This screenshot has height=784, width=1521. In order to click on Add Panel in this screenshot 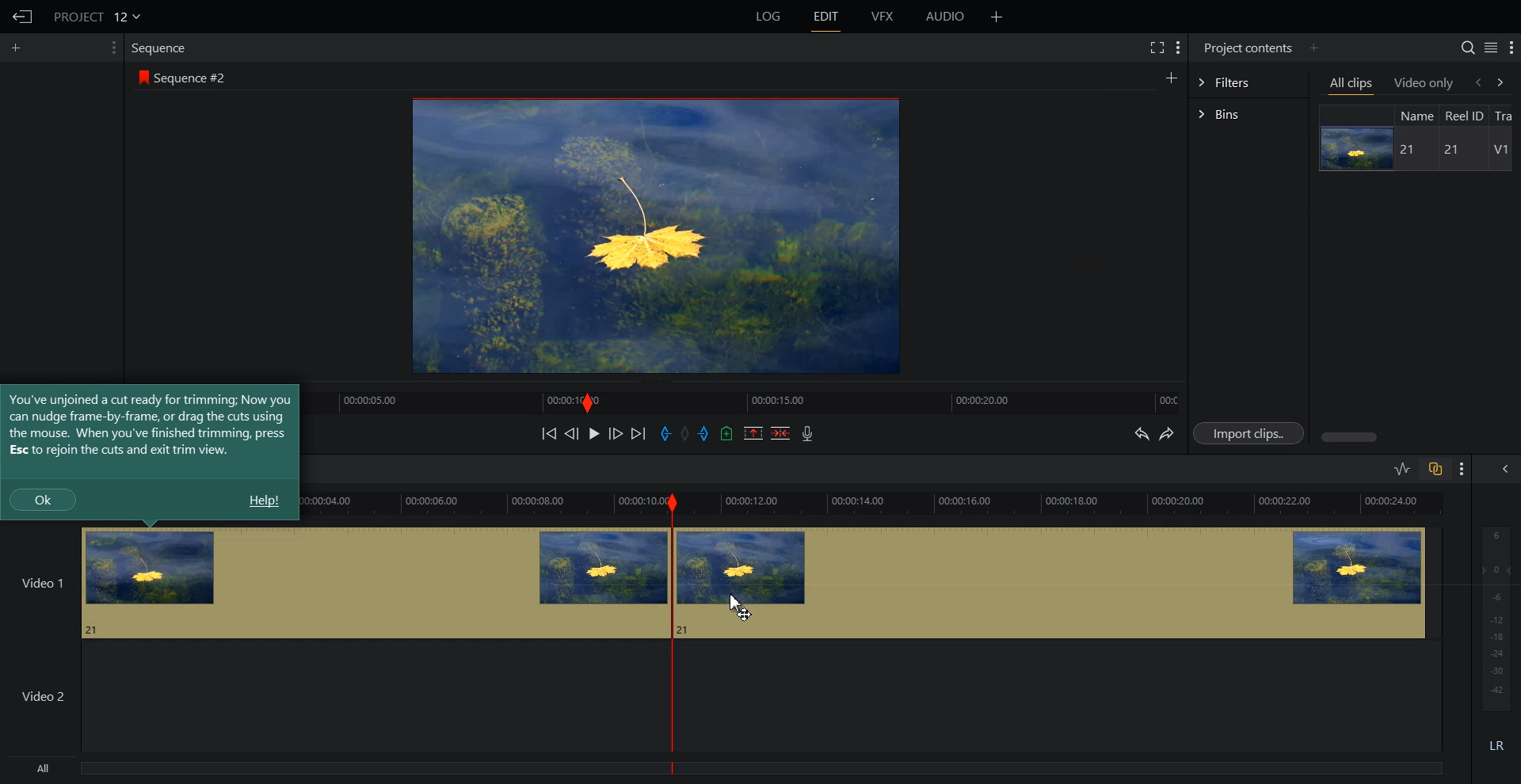, I will do `click(17, 48)`.